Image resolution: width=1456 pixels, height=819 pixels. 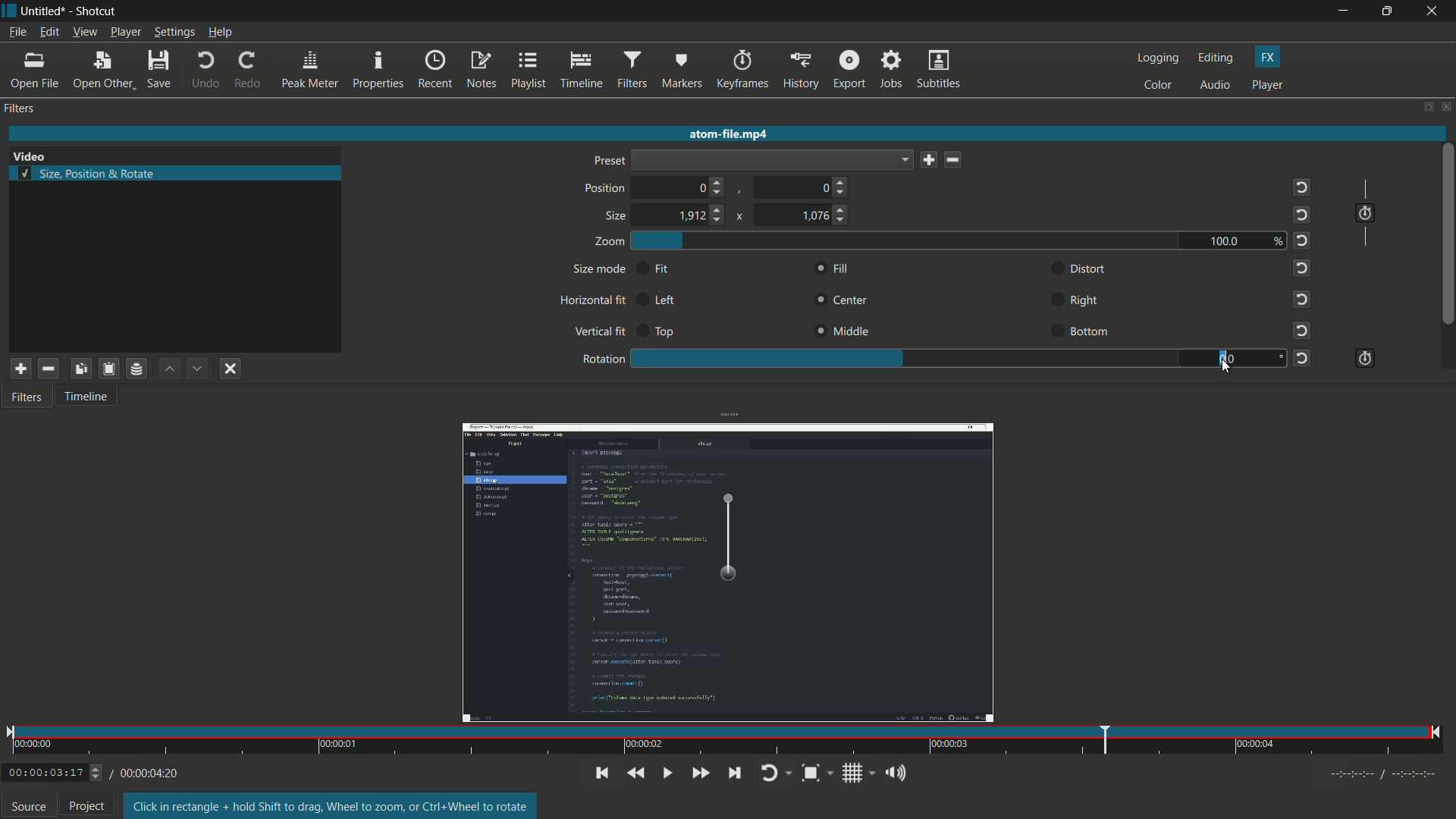 I want to click on atom-file.mp4 (imported video name), so click(x=742, y=135).